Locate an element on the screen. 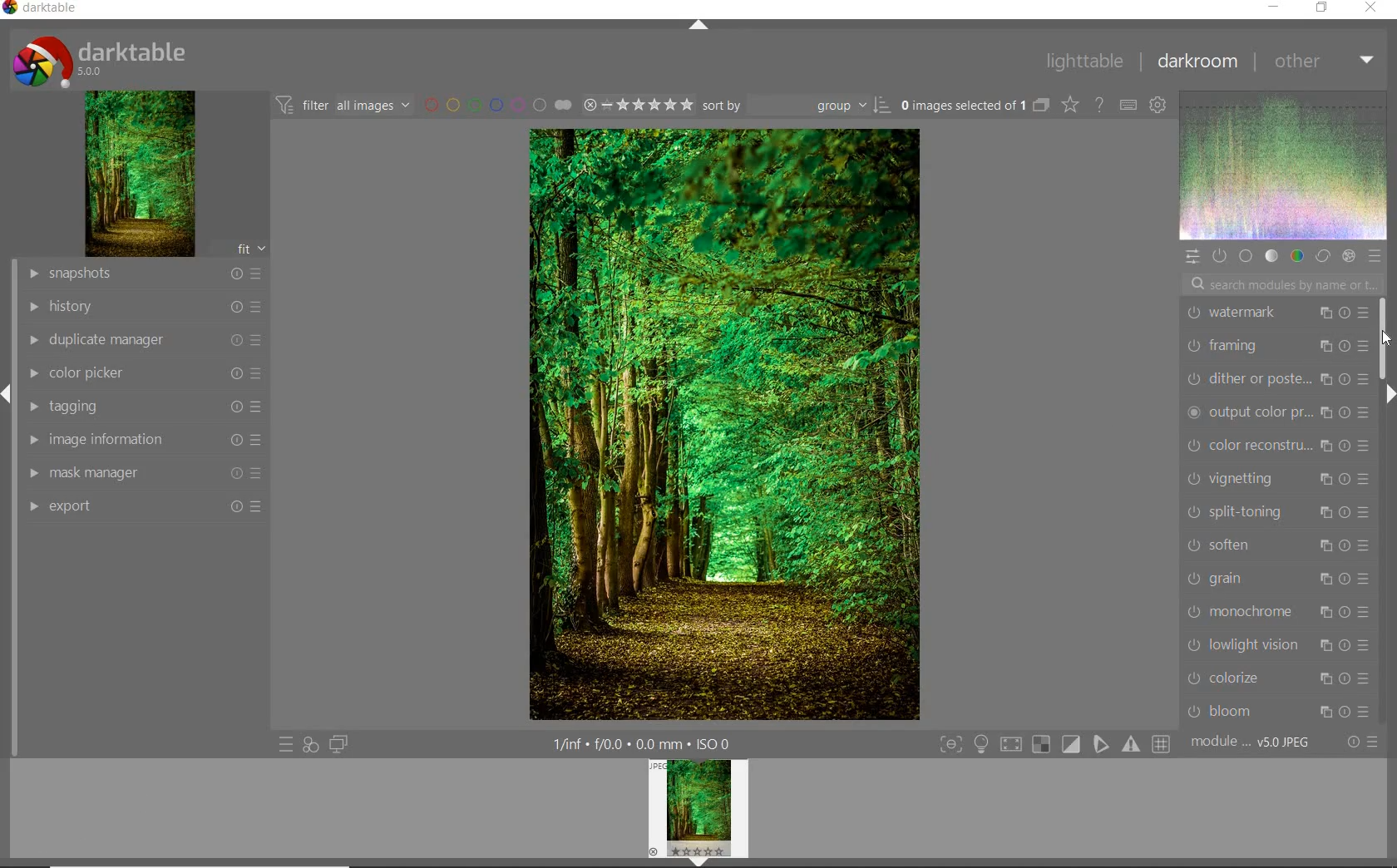 The image size is (1397, 868). SELECTED IMAGE RANGE RATING is located at coordinates (636, 103).